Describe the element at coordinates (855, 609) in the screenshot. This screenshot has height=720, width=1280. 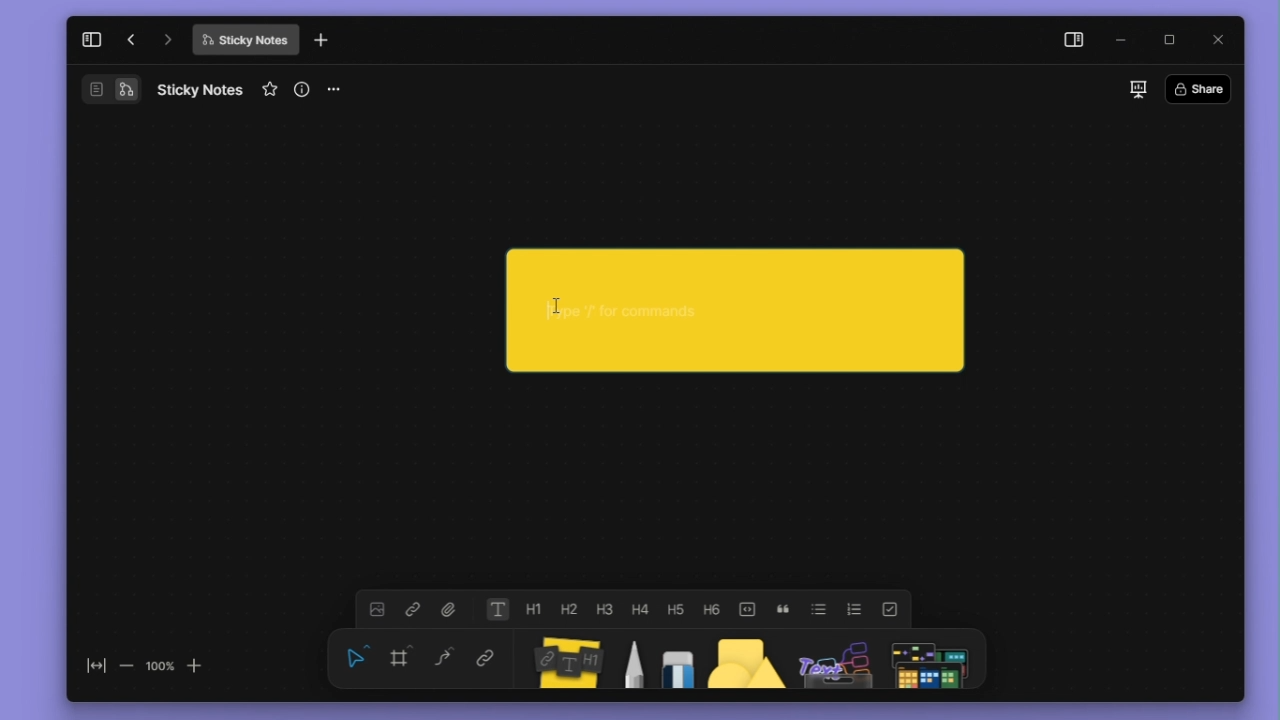
I see `numbered list` at that location.